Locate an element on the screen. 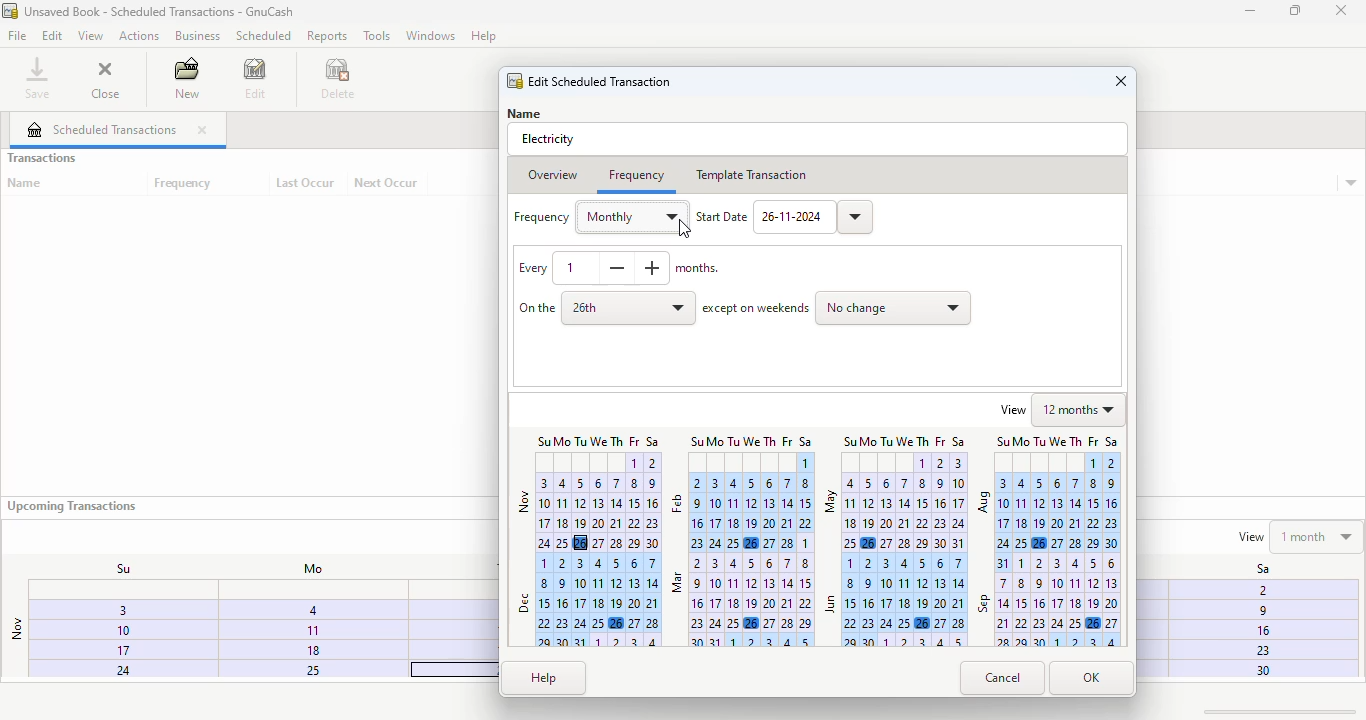 Image resolution: width=1366 pixels, height=720 pixels. help is located at coordinates (544, 678).